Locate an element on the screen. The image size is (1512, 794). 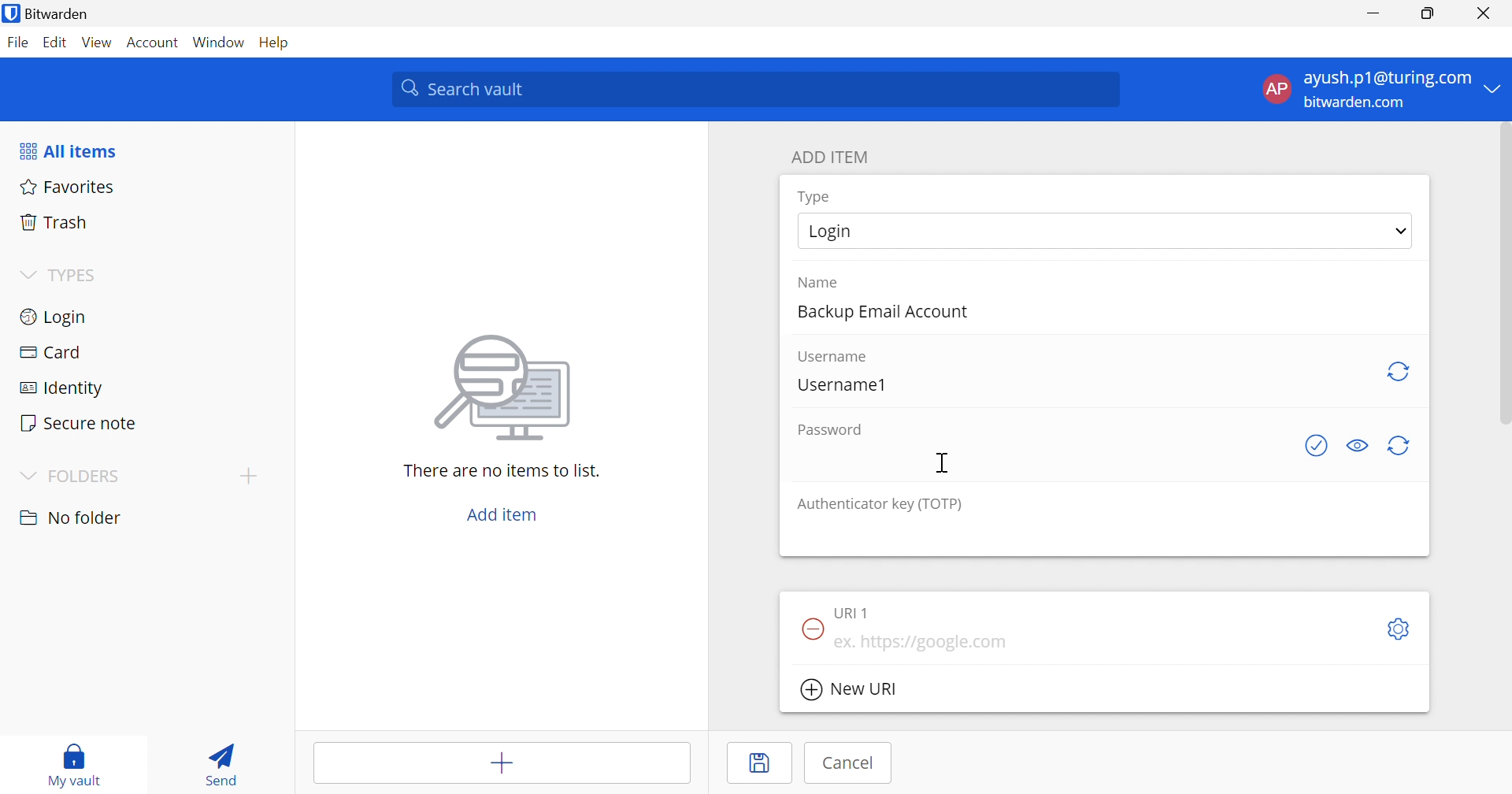
Type is located at coordinates (816, 198).